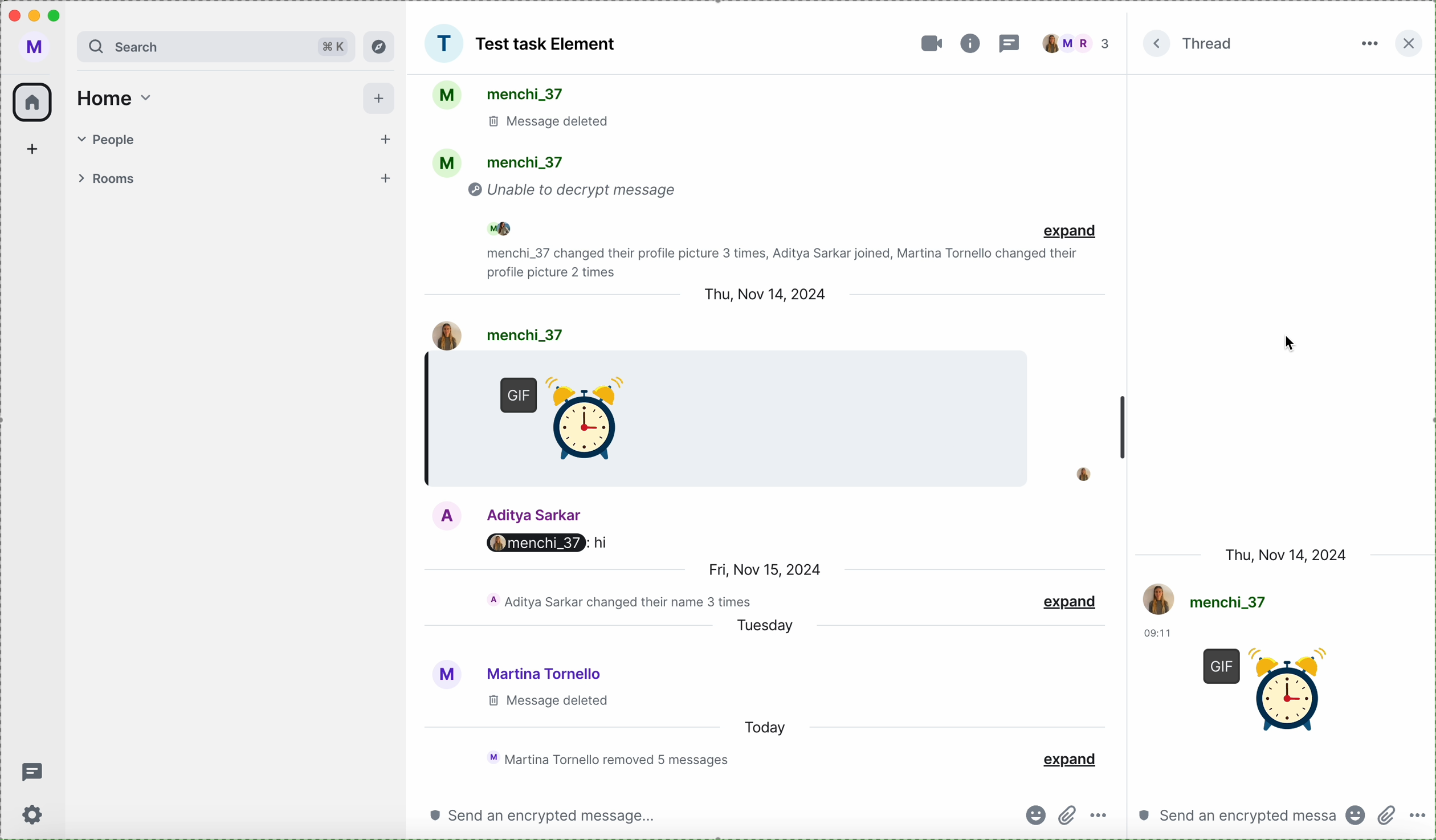 The height and width of the screenshot is (840, 1436). I want to click on maximize program, so click(59, 14).